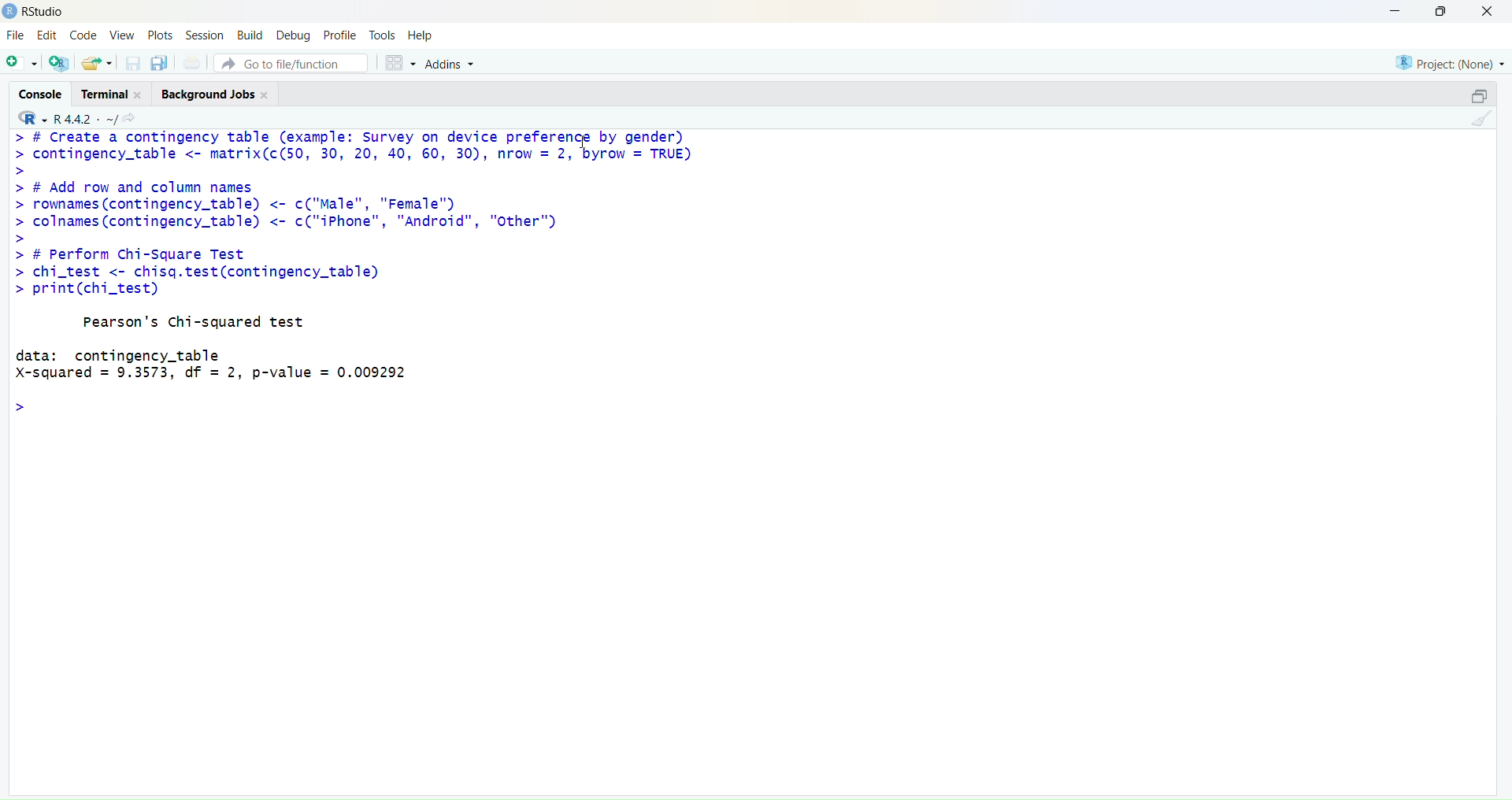 This screenshot has width=1512, height=800. Describe the element at coordinates (130, 118) in the screenshot. I see `share icon` at that location.